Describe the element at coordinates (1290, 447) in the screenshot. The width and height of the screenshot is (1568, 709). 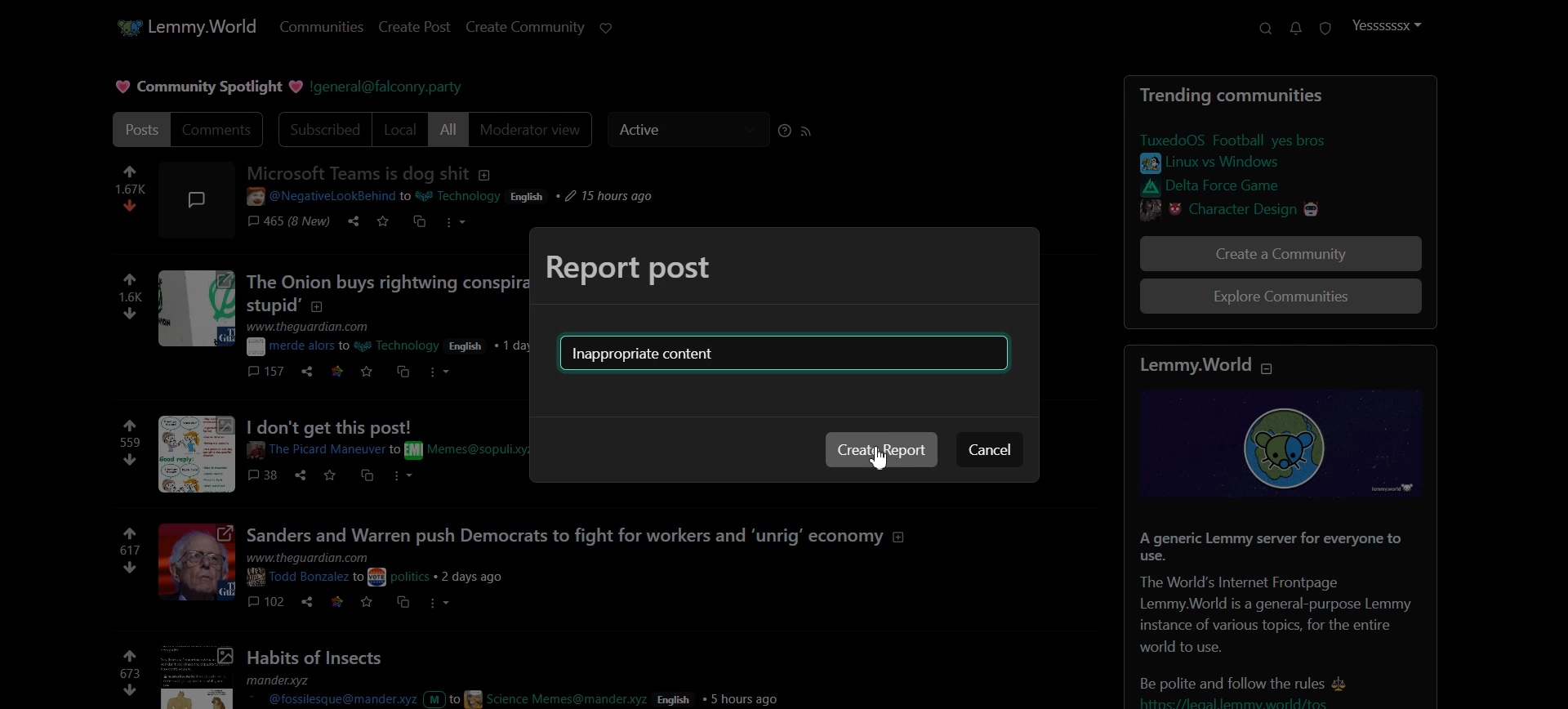
I see `image` at that location.